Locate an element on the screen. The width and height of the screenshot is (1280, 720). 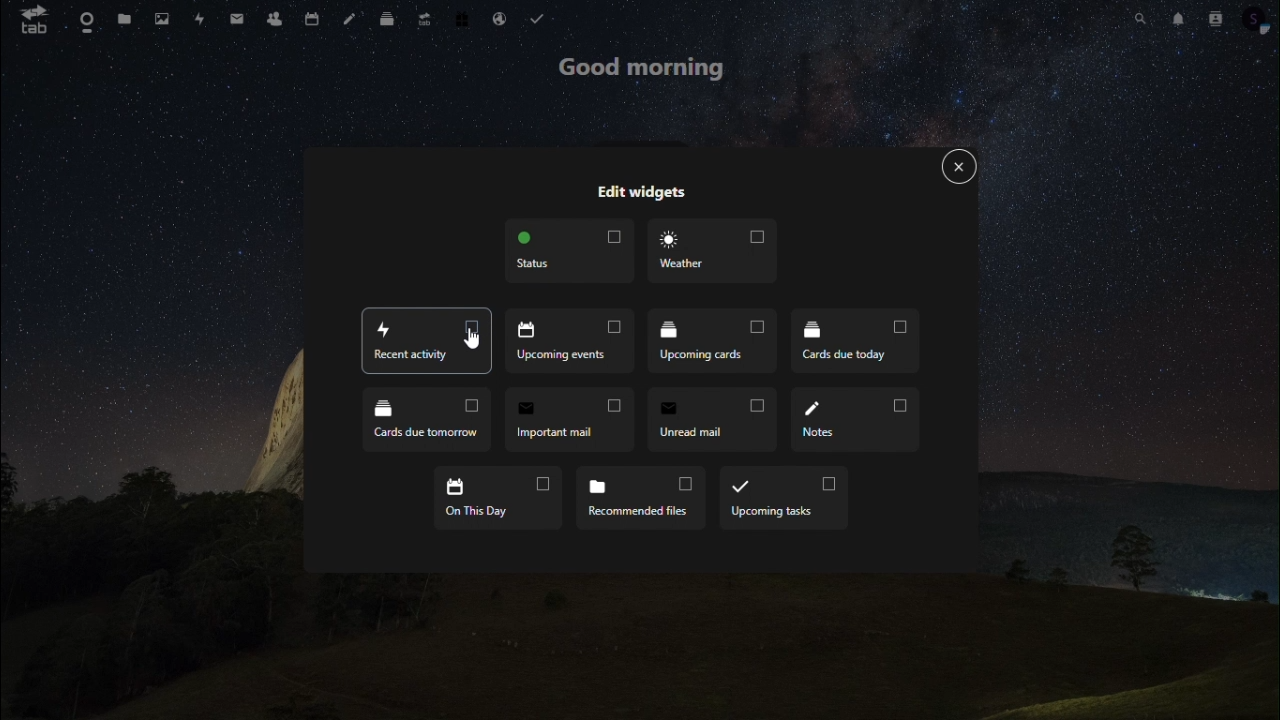
good morning is located at coordinates (644, 72).